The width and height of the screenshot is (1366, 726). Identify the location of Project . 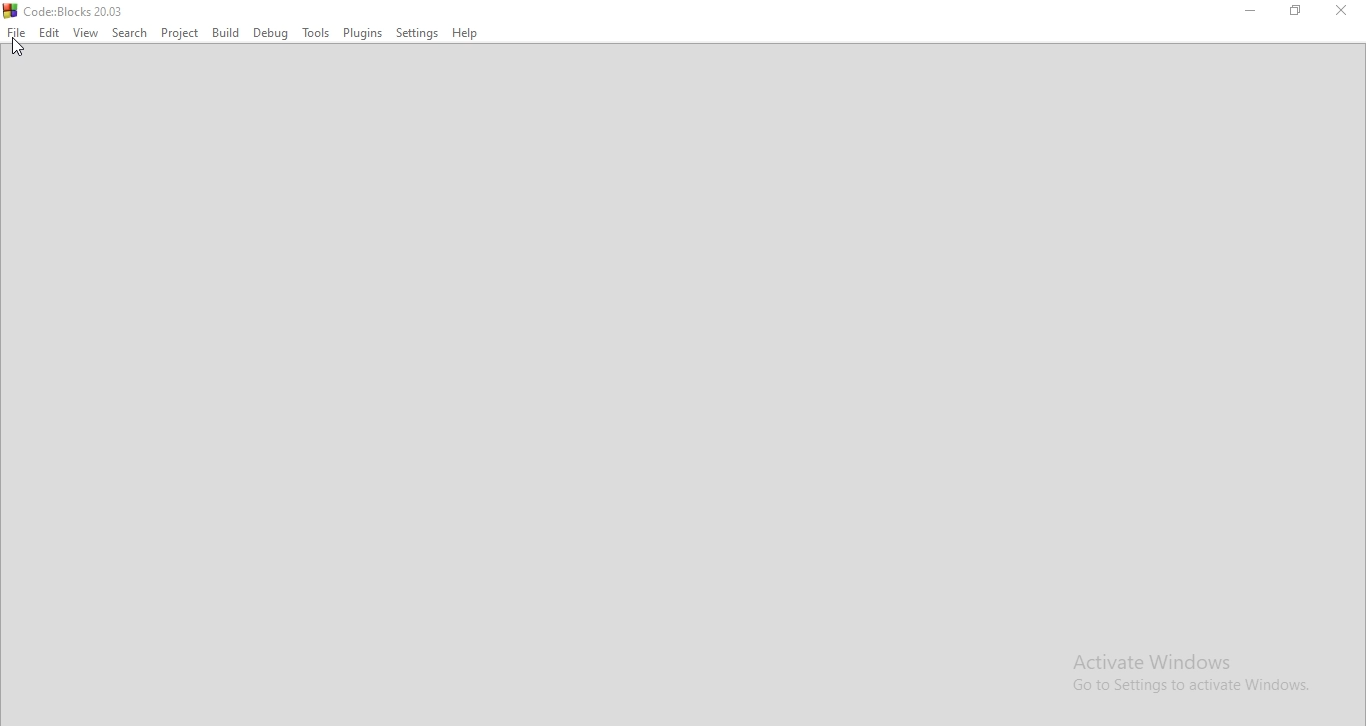
(179, 33).